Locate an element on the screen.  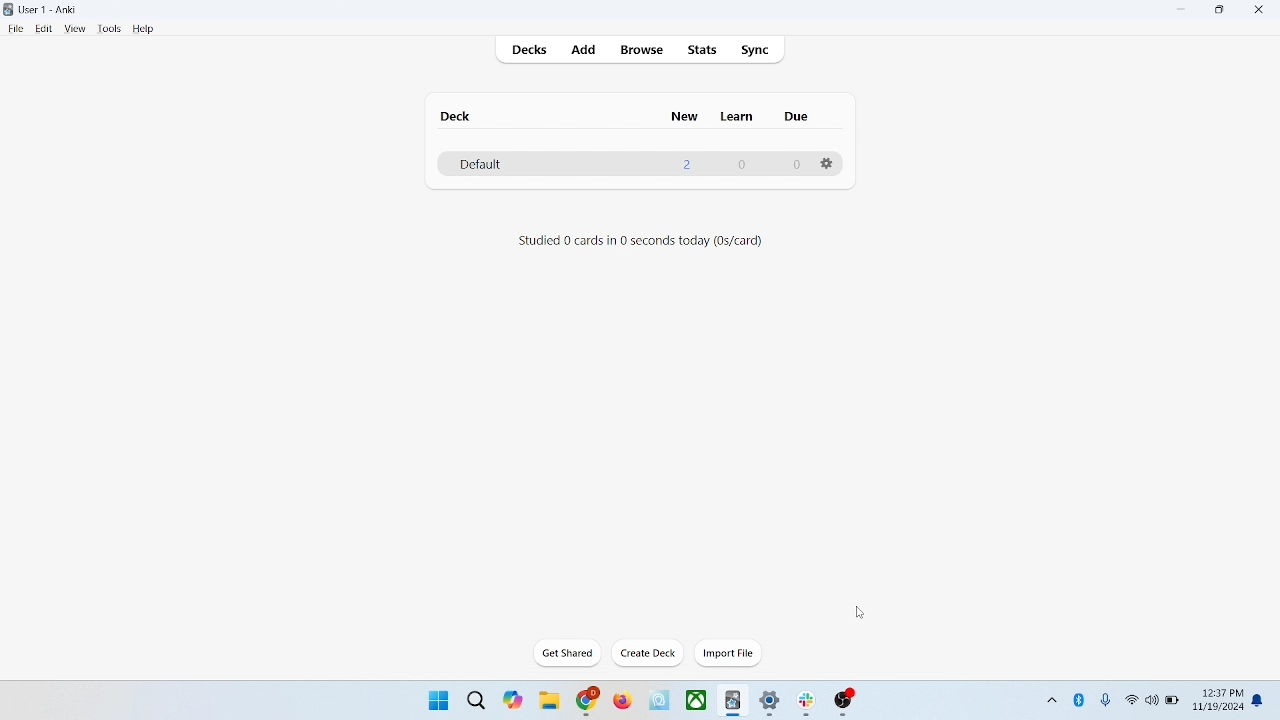
cursor is located at coordinates (859, 612).